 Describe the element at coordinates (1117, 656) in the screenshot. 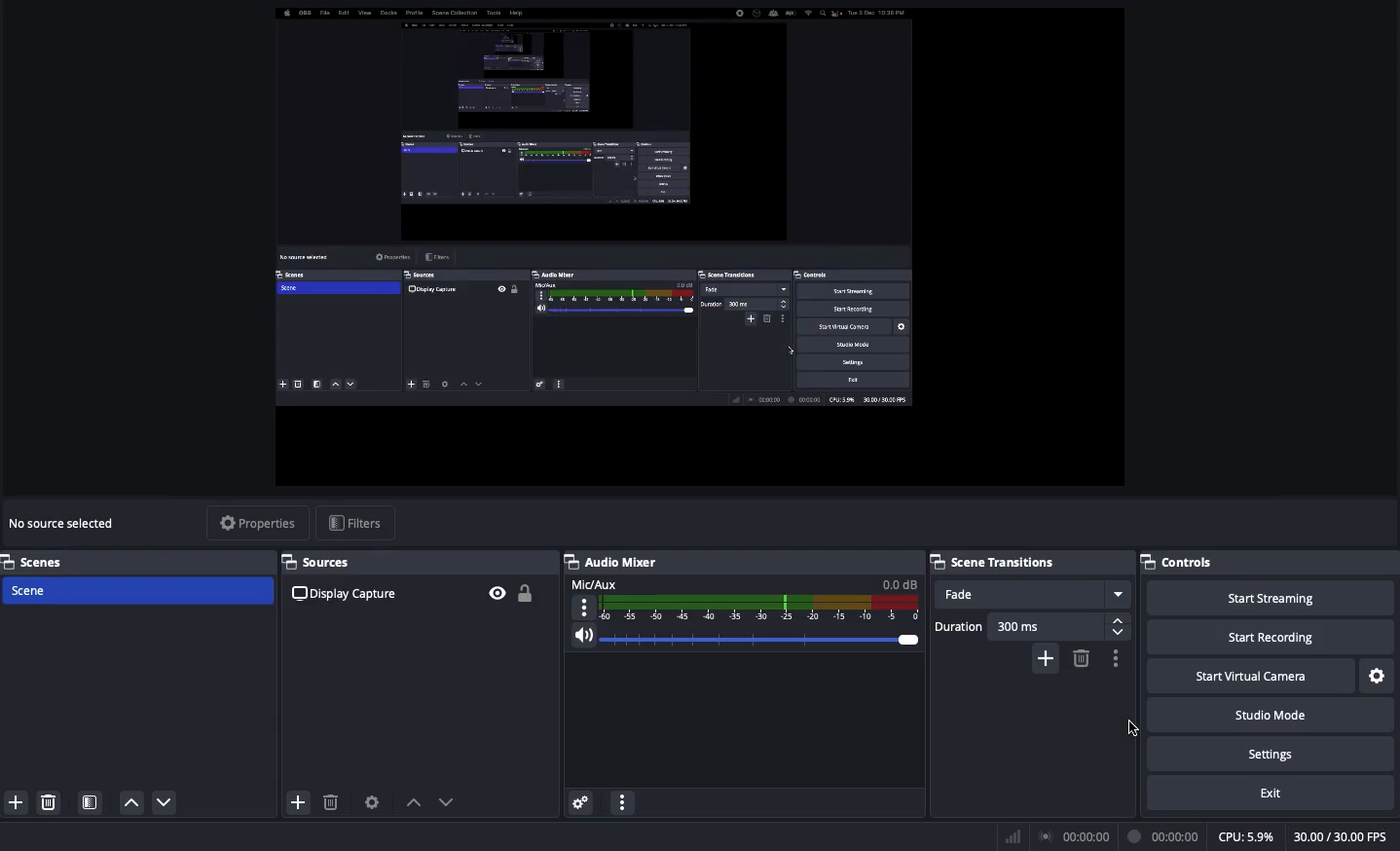

I see `More` at that location.